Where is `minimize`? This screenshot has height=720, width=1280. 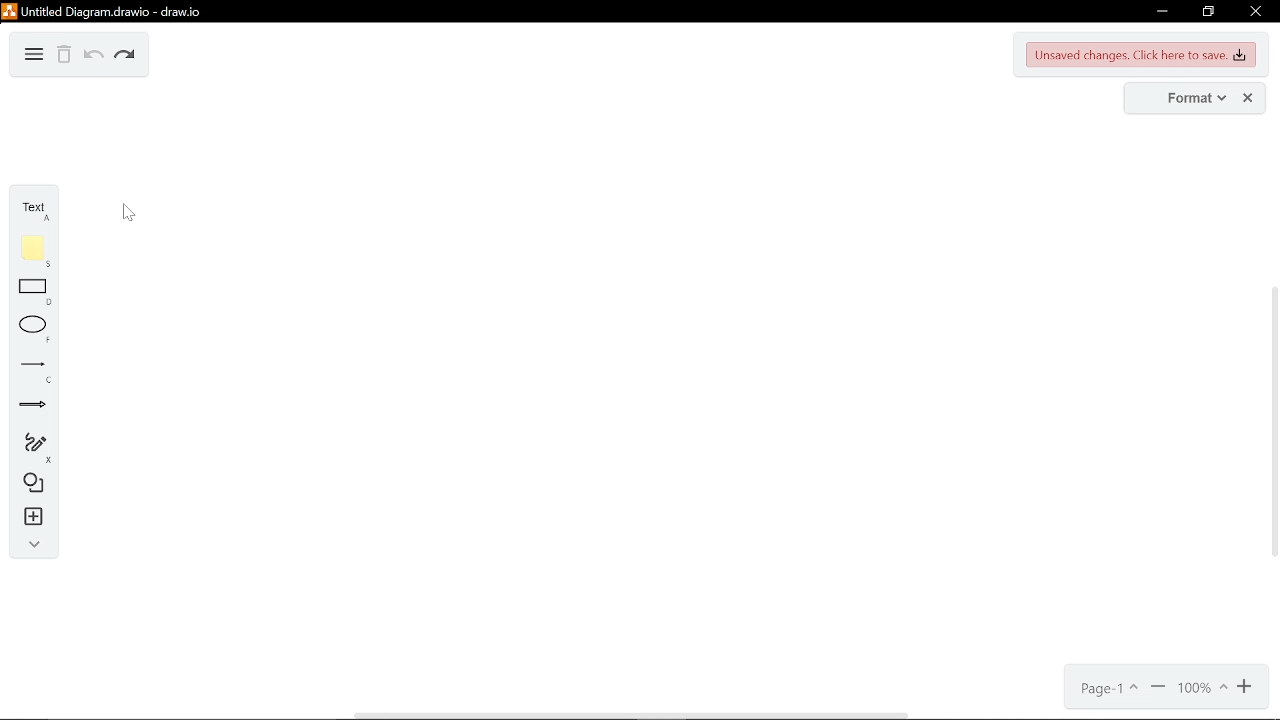 minimize is located at coordinates (1162, 11).